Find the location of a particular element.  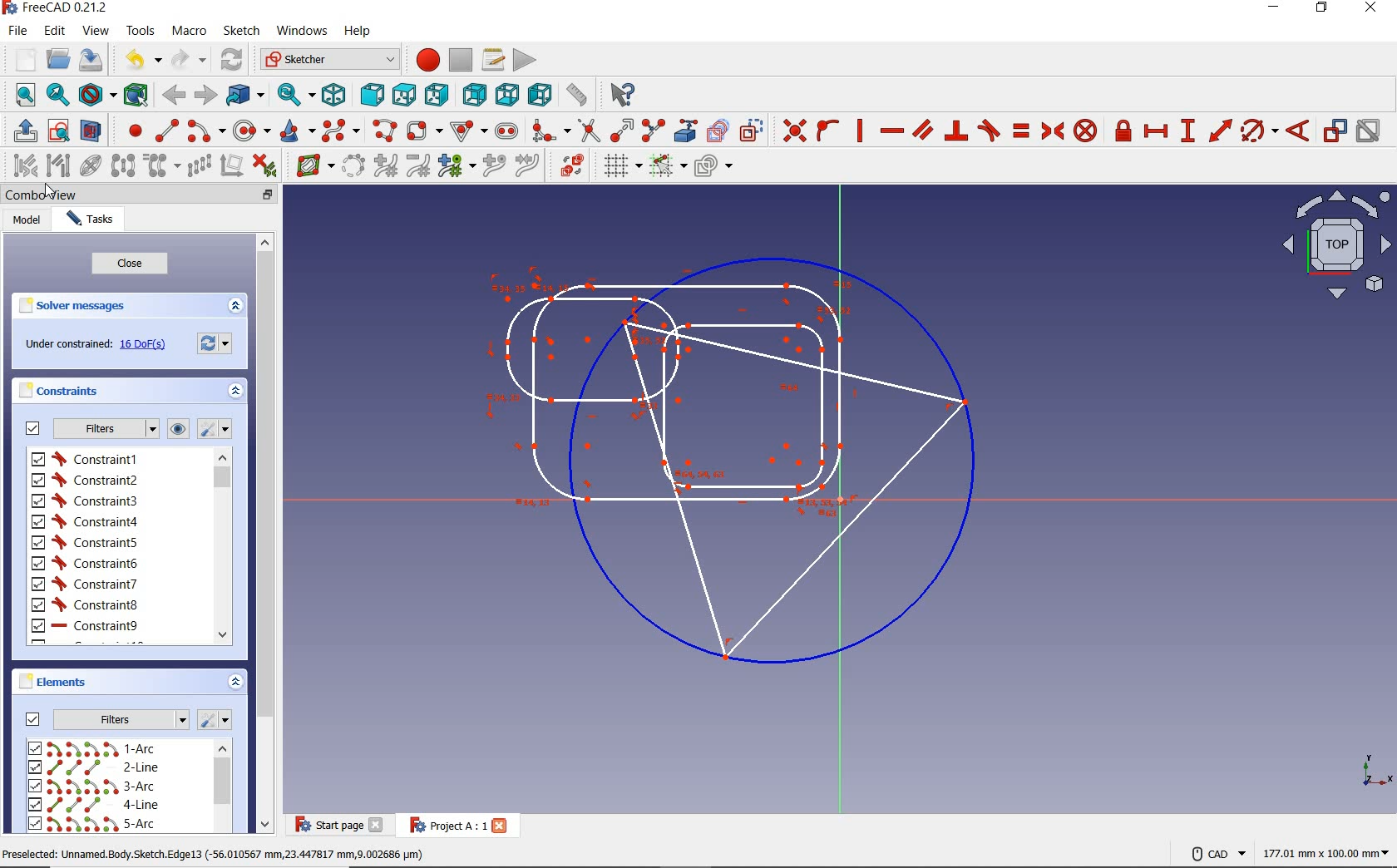

constraint3 is located at coordinates (85, 501).